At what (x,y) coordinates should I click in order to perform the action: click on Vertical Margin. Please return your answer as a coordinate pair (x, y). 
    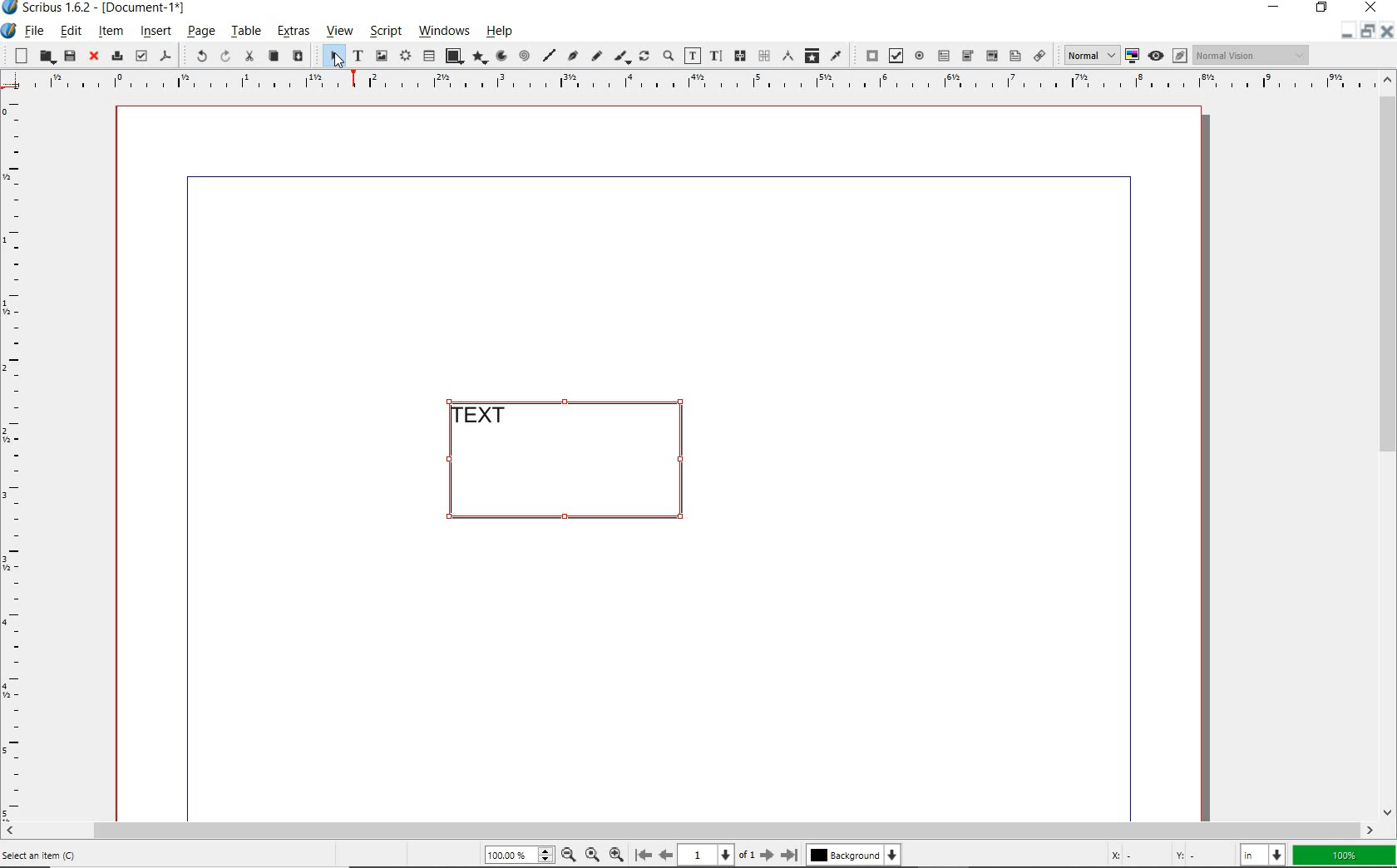
    Looking at the image, I should click on (19, 457).